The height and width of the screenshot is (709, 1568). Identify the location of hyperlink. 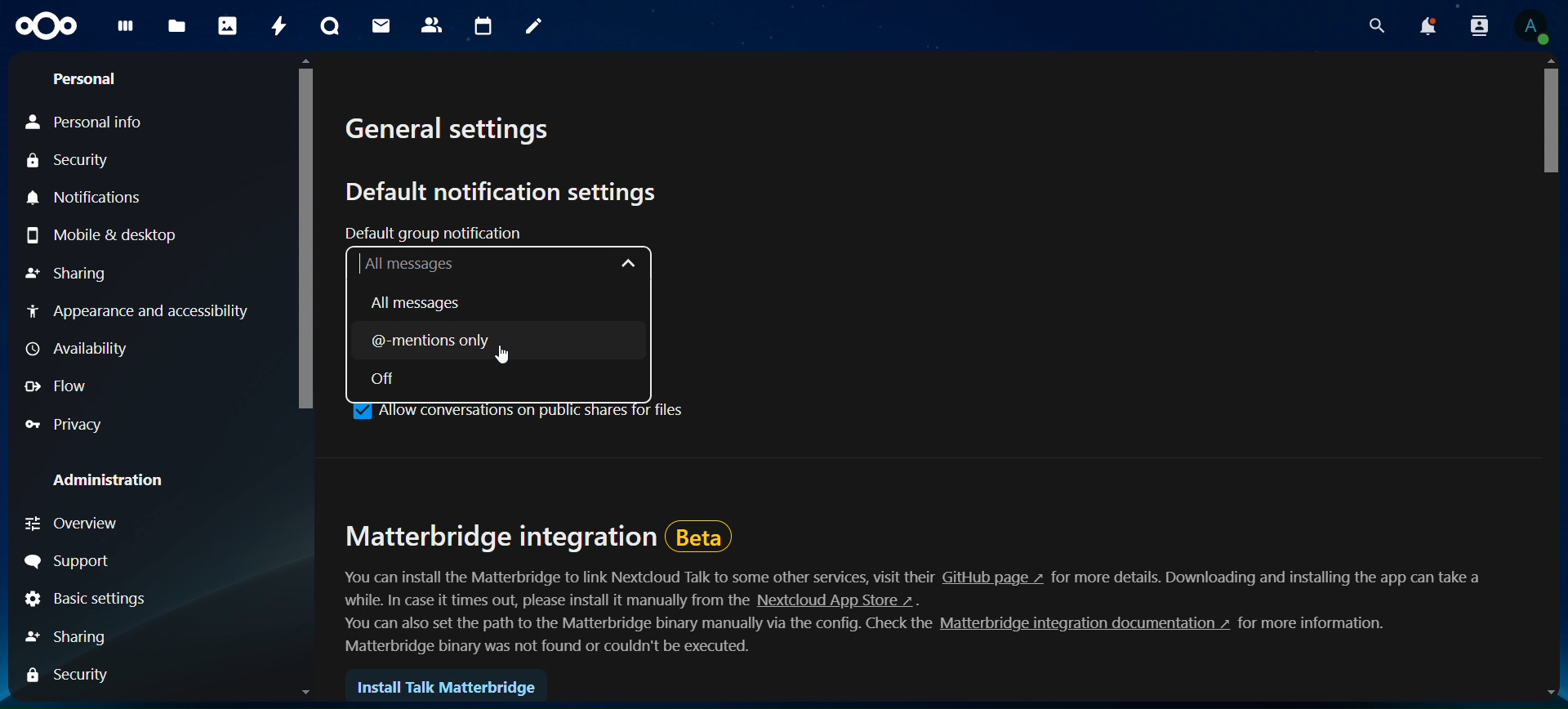
(1080, 626).